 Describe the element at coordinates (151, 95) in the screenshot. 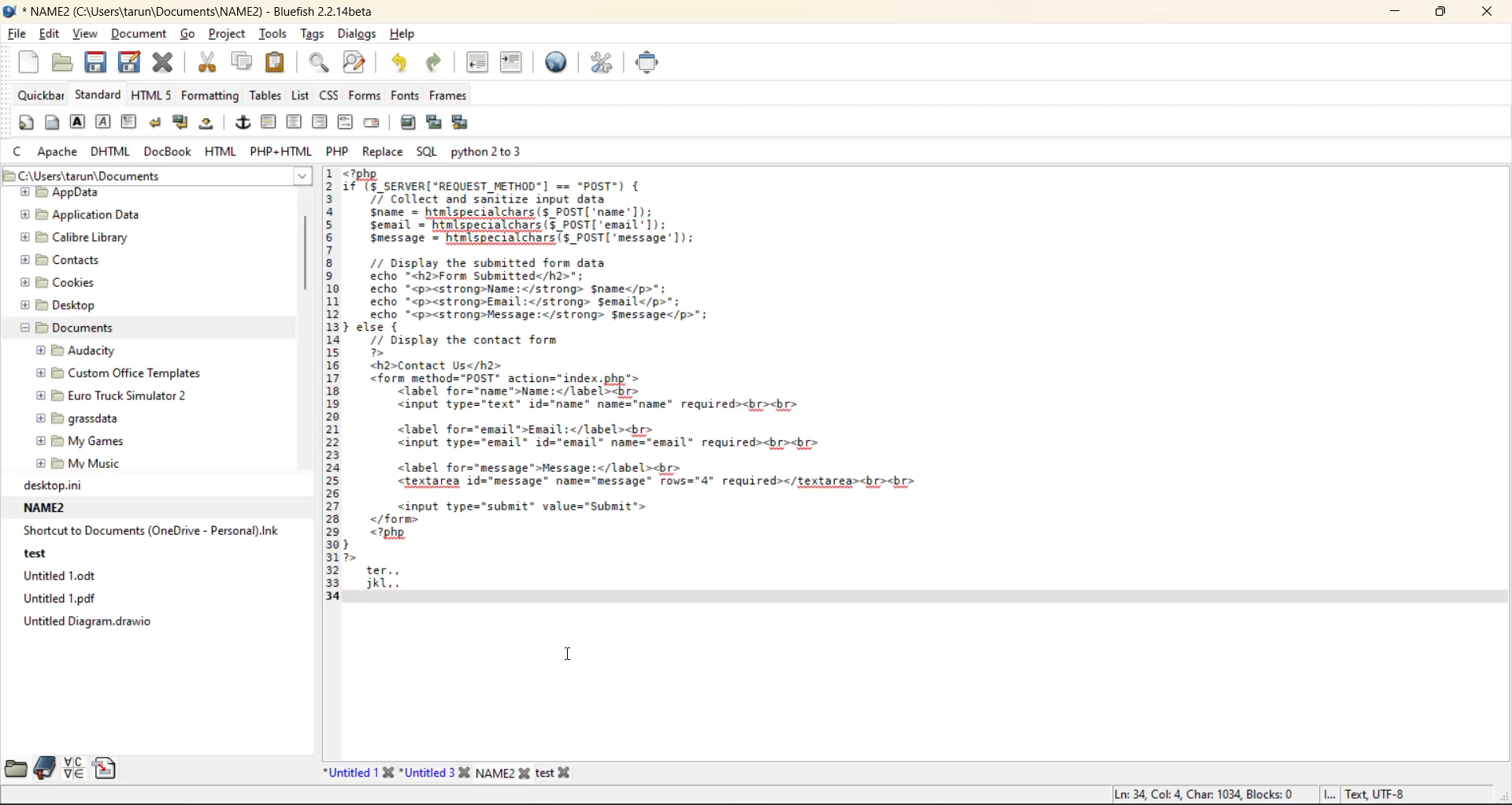

I see `html5` at that location.